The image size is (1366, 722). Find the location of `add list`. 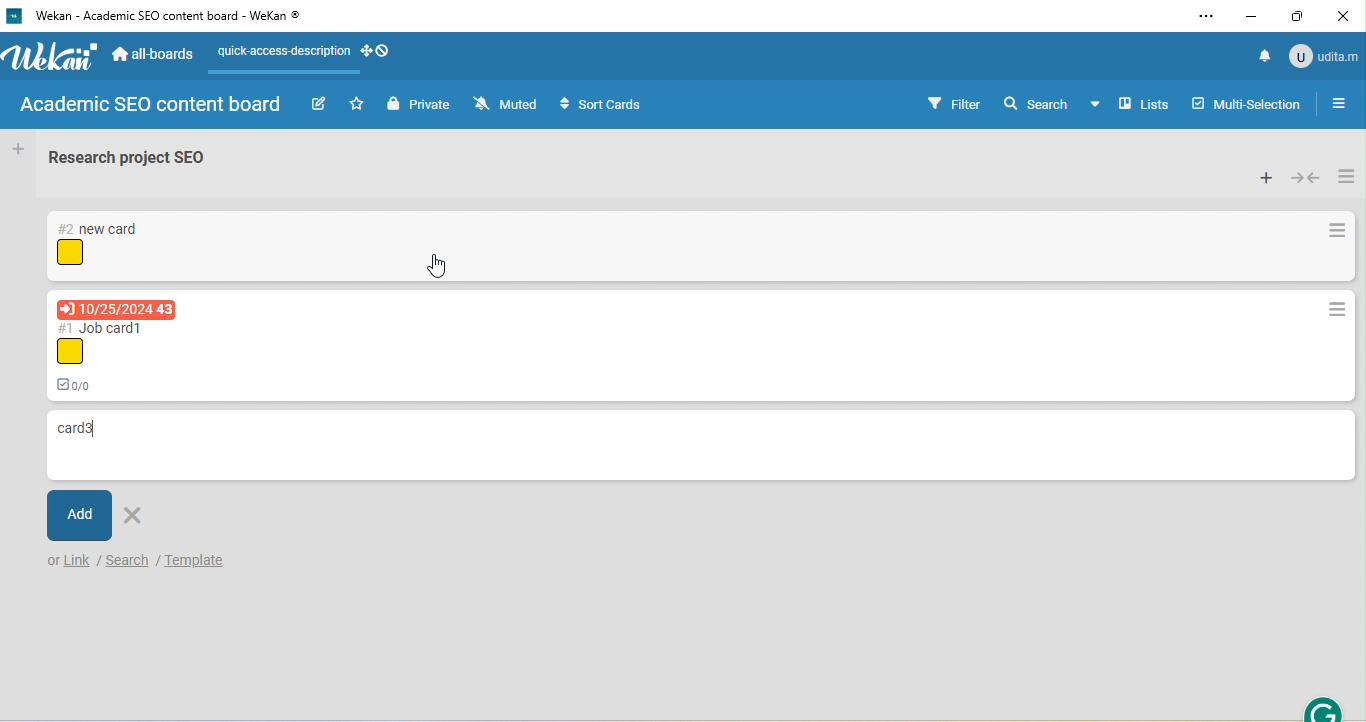

add list is located at coordinates (17, 149).